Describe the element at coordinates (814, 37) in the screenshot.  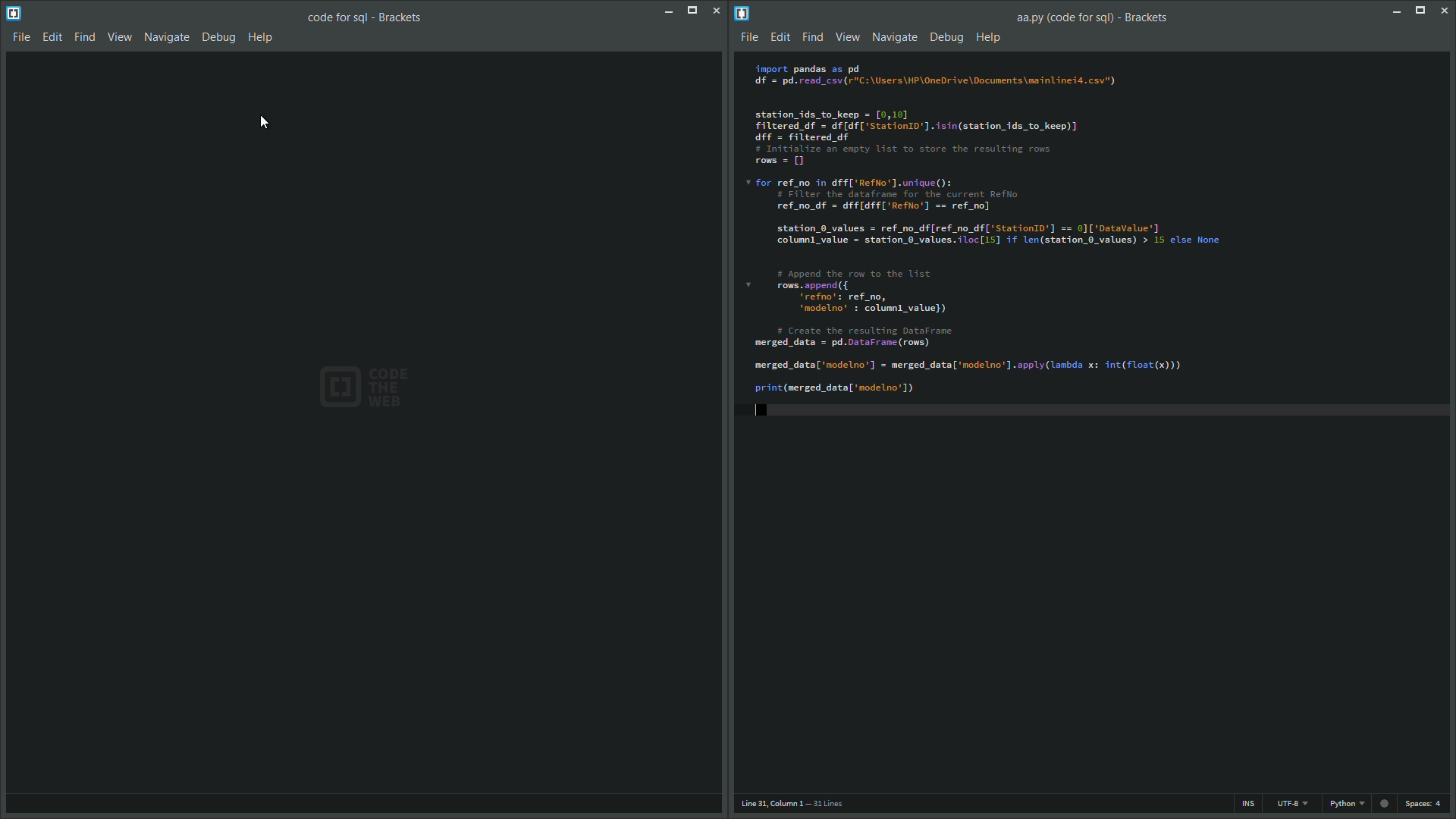
I see `Find` at that location.